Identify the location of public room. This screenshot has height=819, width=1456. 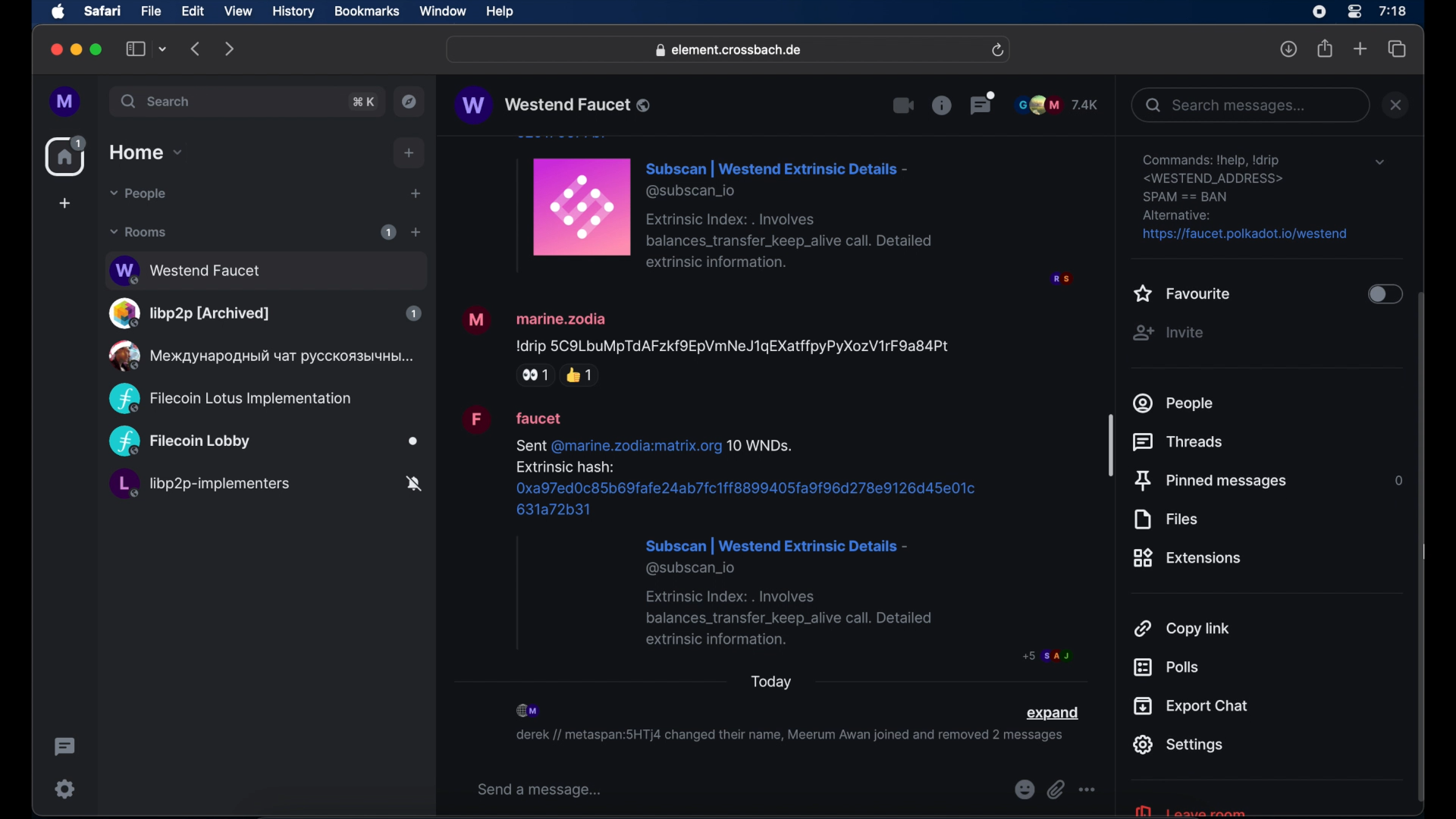
(230, 399).